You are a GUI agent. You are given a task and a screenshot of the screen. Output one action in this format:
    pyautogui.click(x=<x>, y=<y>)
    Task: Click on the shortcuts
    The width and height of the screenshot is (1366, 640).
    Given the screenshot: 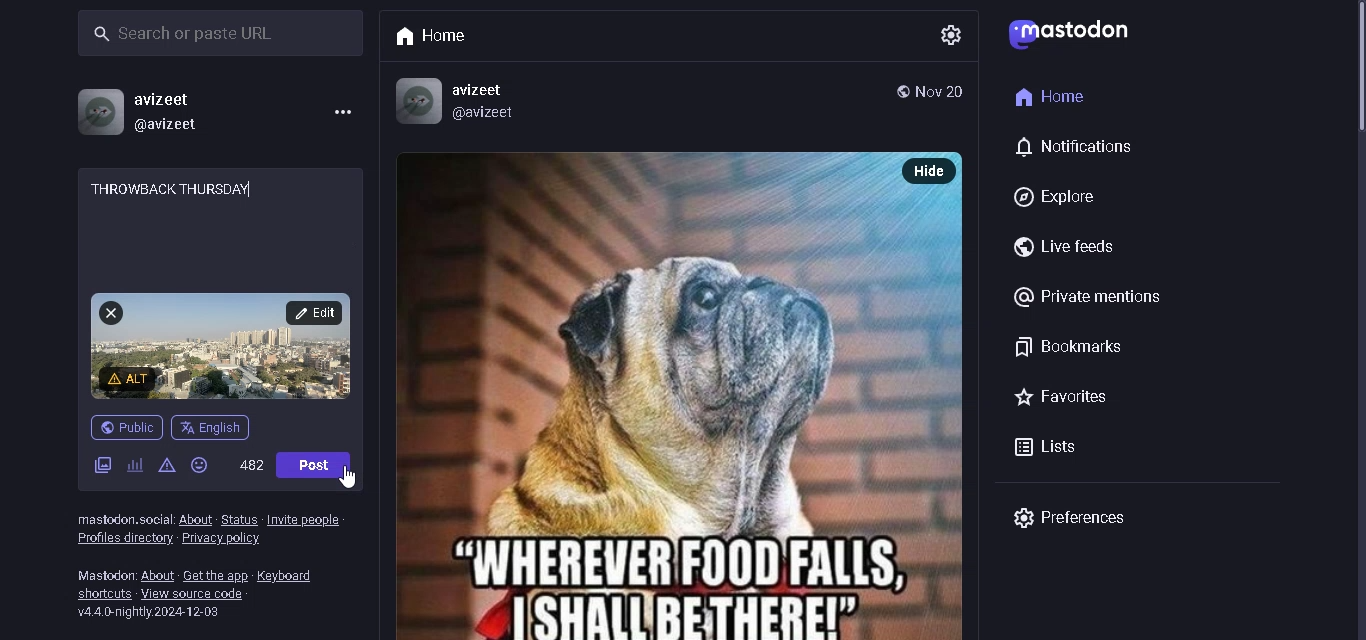 What is the action you would take?
    pyautogui.click(x=103, y=594)
    